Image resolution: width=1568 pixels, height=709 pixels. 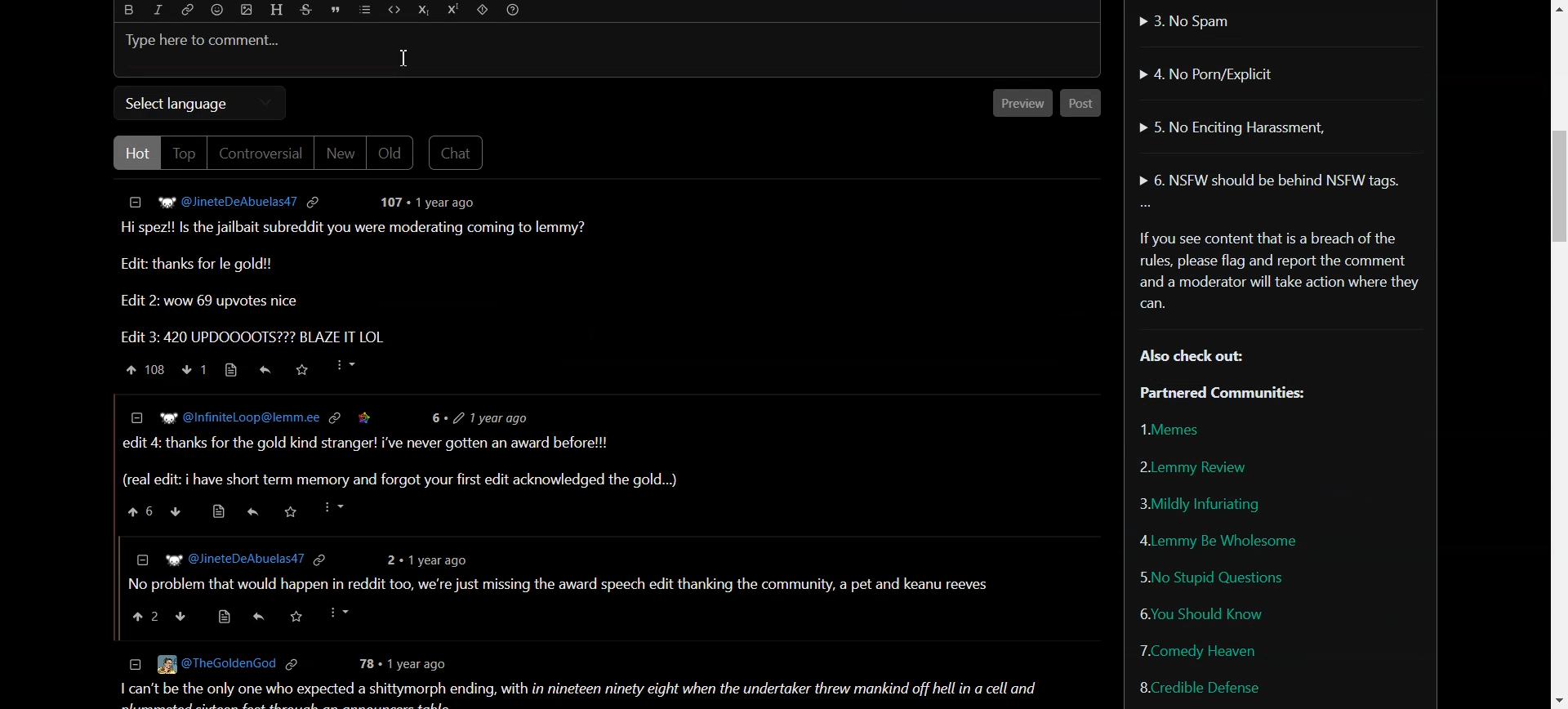 I want to click on Header, so click(x=276, y=10).